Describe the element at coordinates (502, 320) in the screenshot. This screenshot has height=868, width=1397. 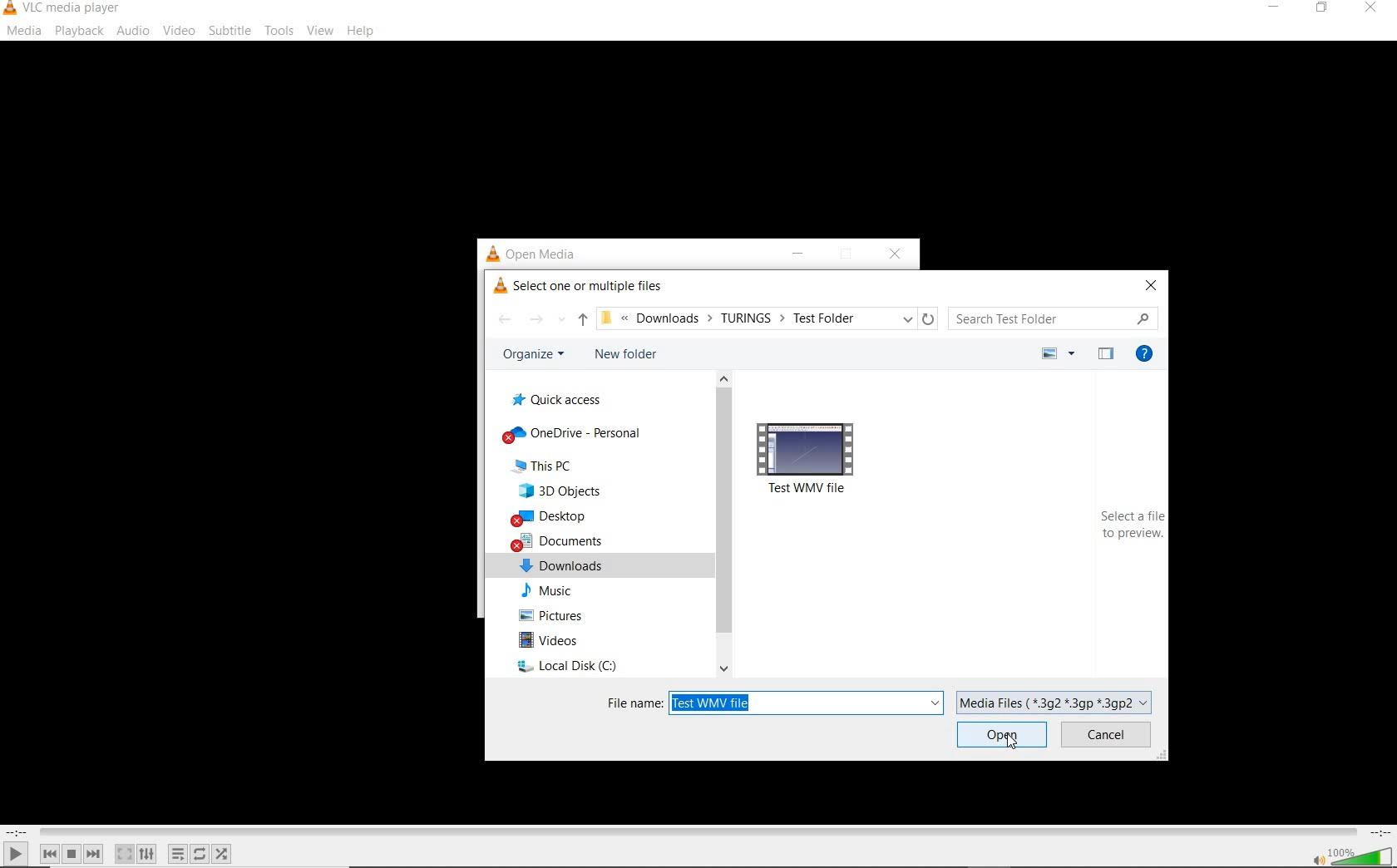
I see `back` at that location.